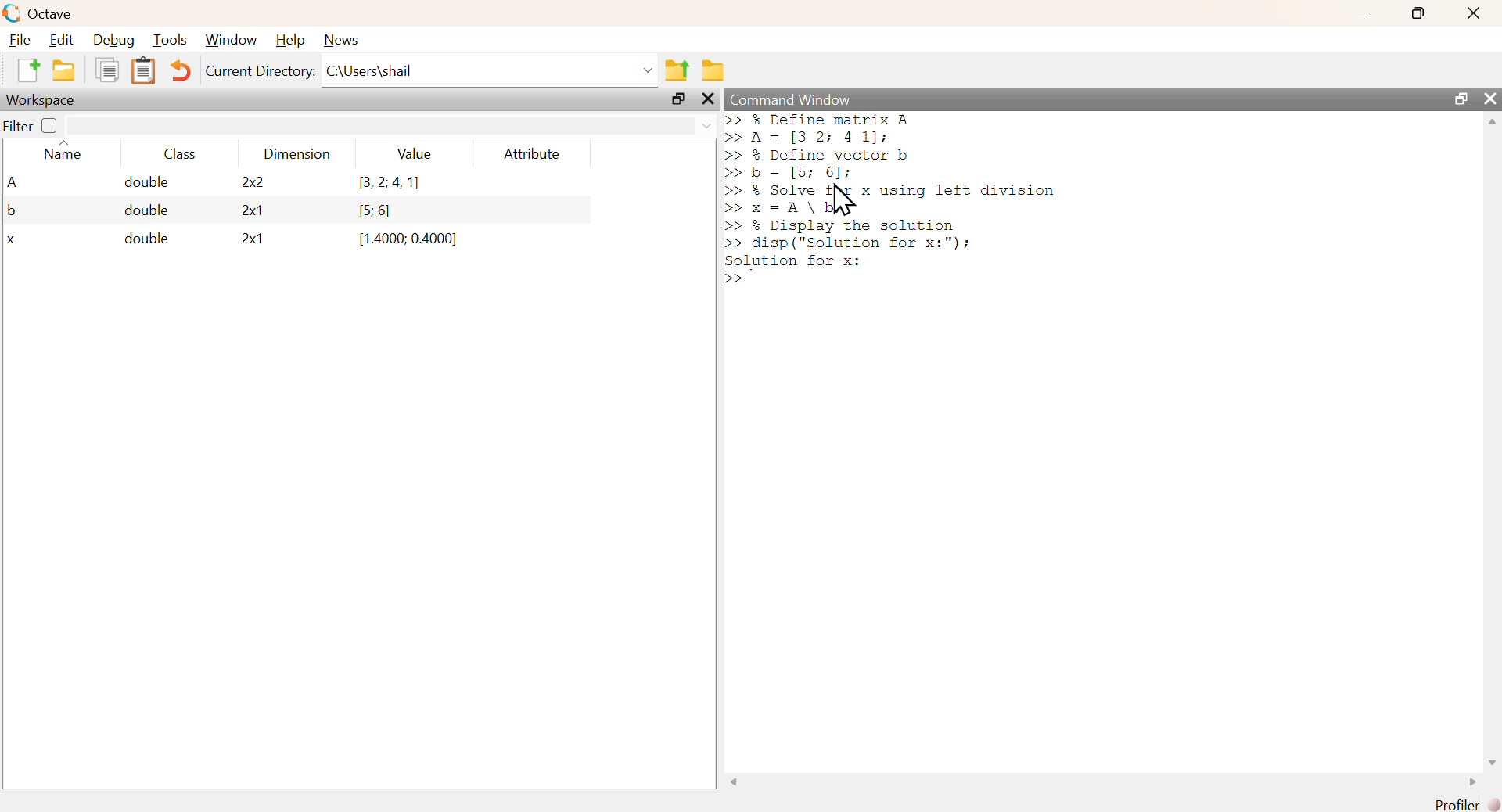  What do you see at coordinates (843, 202) in the screenshot?
I see `cursor` at bounding box center [843, 202].